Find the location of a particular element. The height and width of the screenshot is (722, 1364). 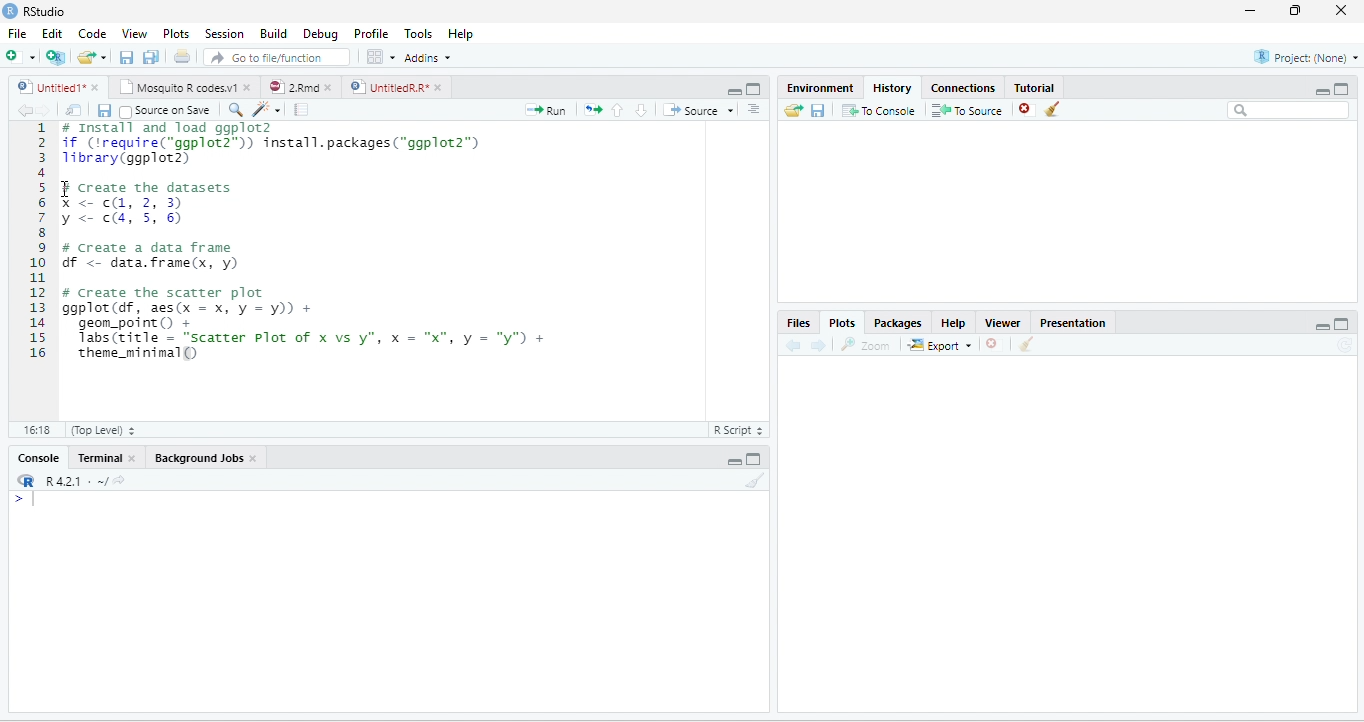

close is located at coordinates (1340, 11).